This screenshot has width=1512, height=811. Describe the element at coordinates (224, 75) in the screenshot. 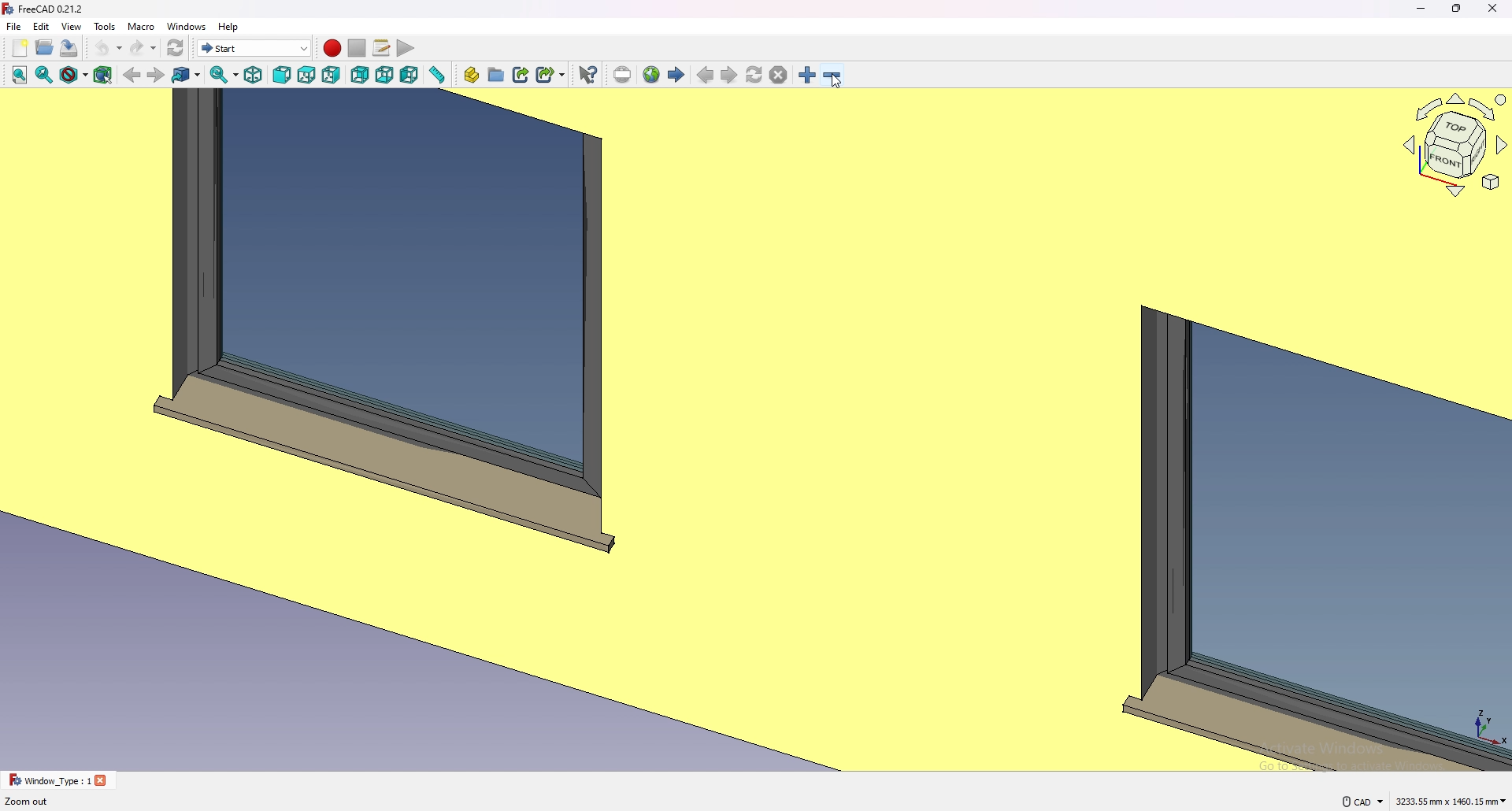

I see `sync view` at that location.